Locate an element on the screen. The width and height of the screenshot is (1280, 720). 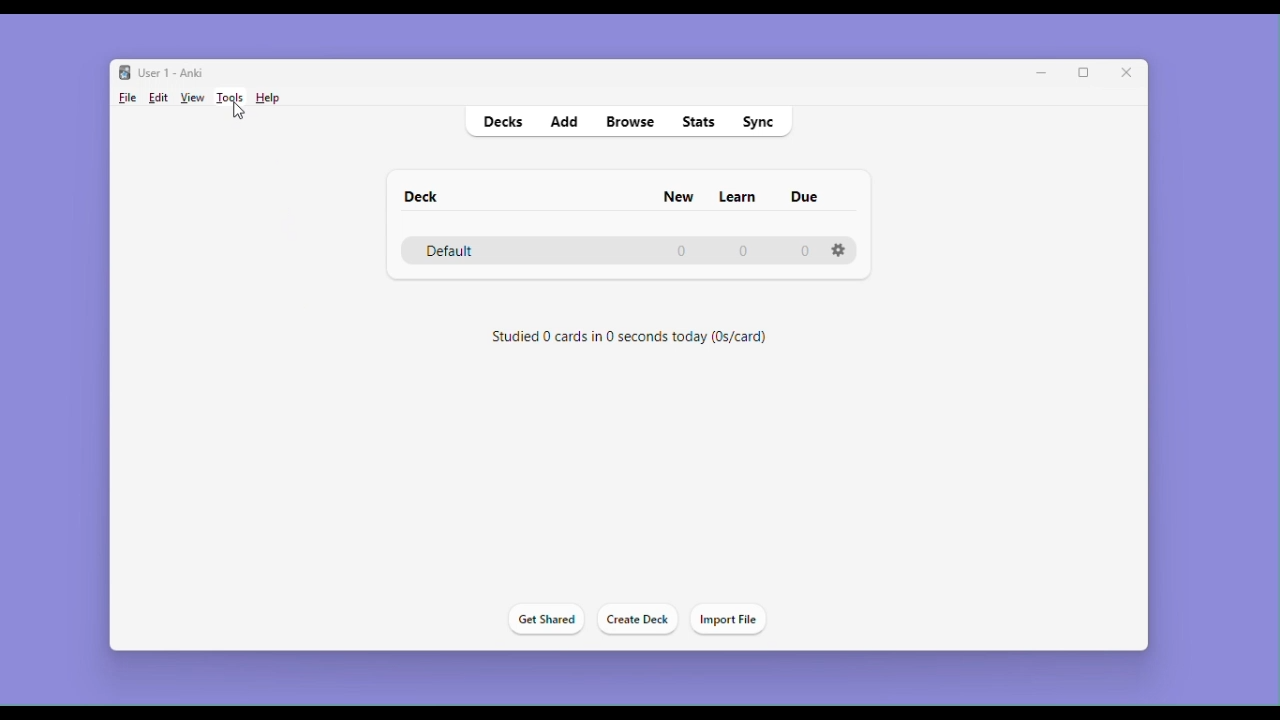
Help is located at coordinates (271, 99).